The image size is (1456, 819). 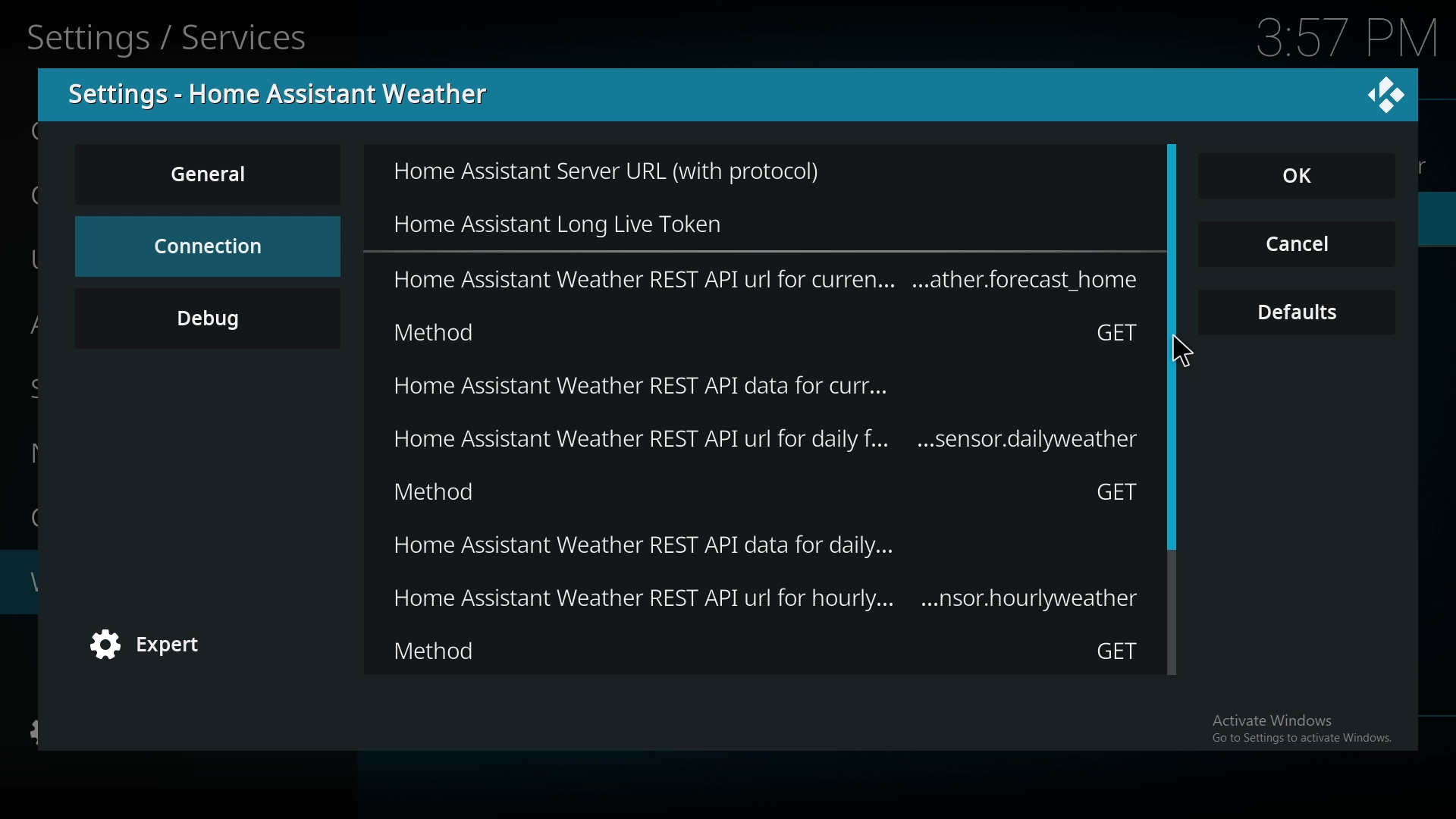 What do you see at coordinates (1170, 532) in the screenshot?
I see `scroll bar` at bounding box center [1170, 532].